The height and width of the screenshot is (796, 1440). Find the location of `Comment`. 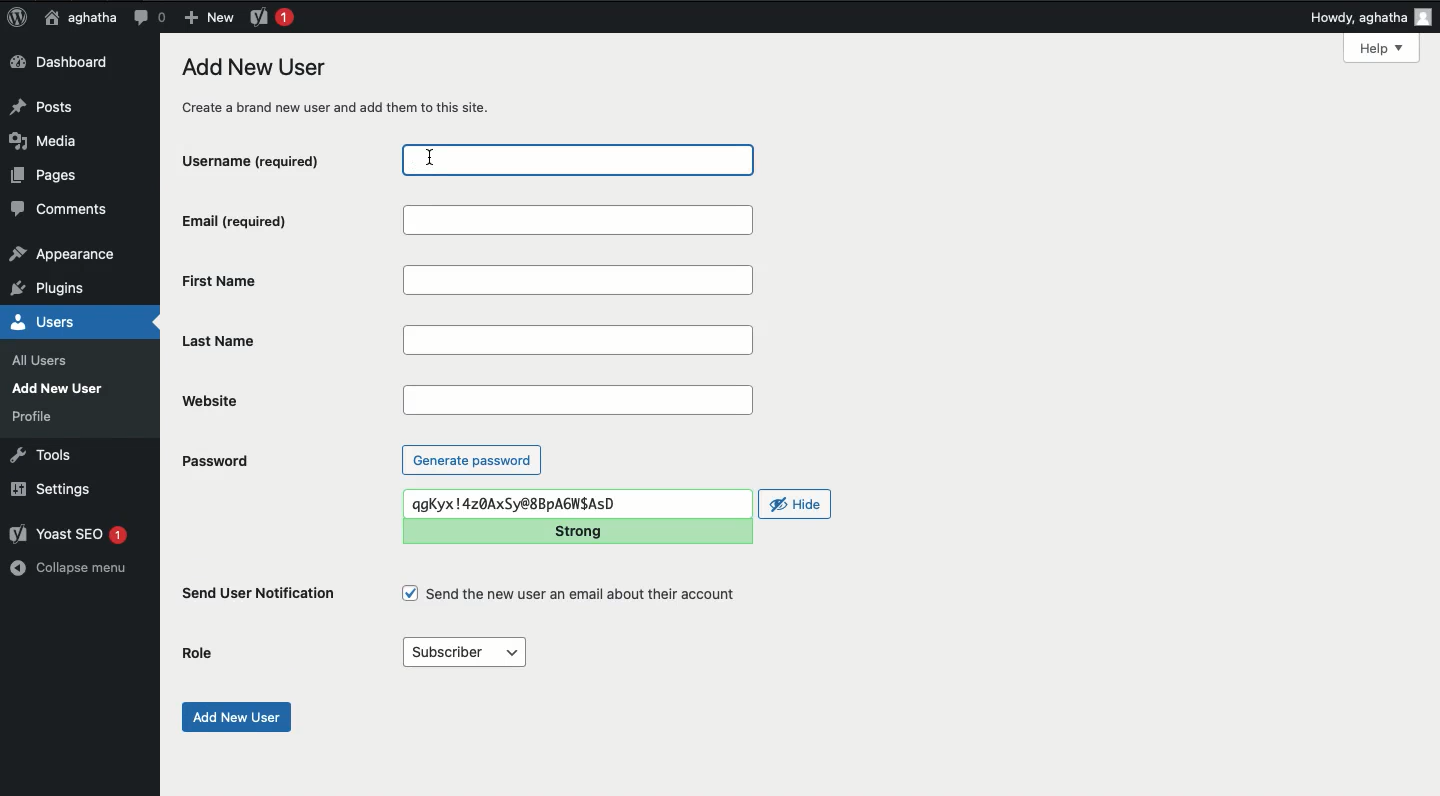

Comment is located at coordinates (149, 17).